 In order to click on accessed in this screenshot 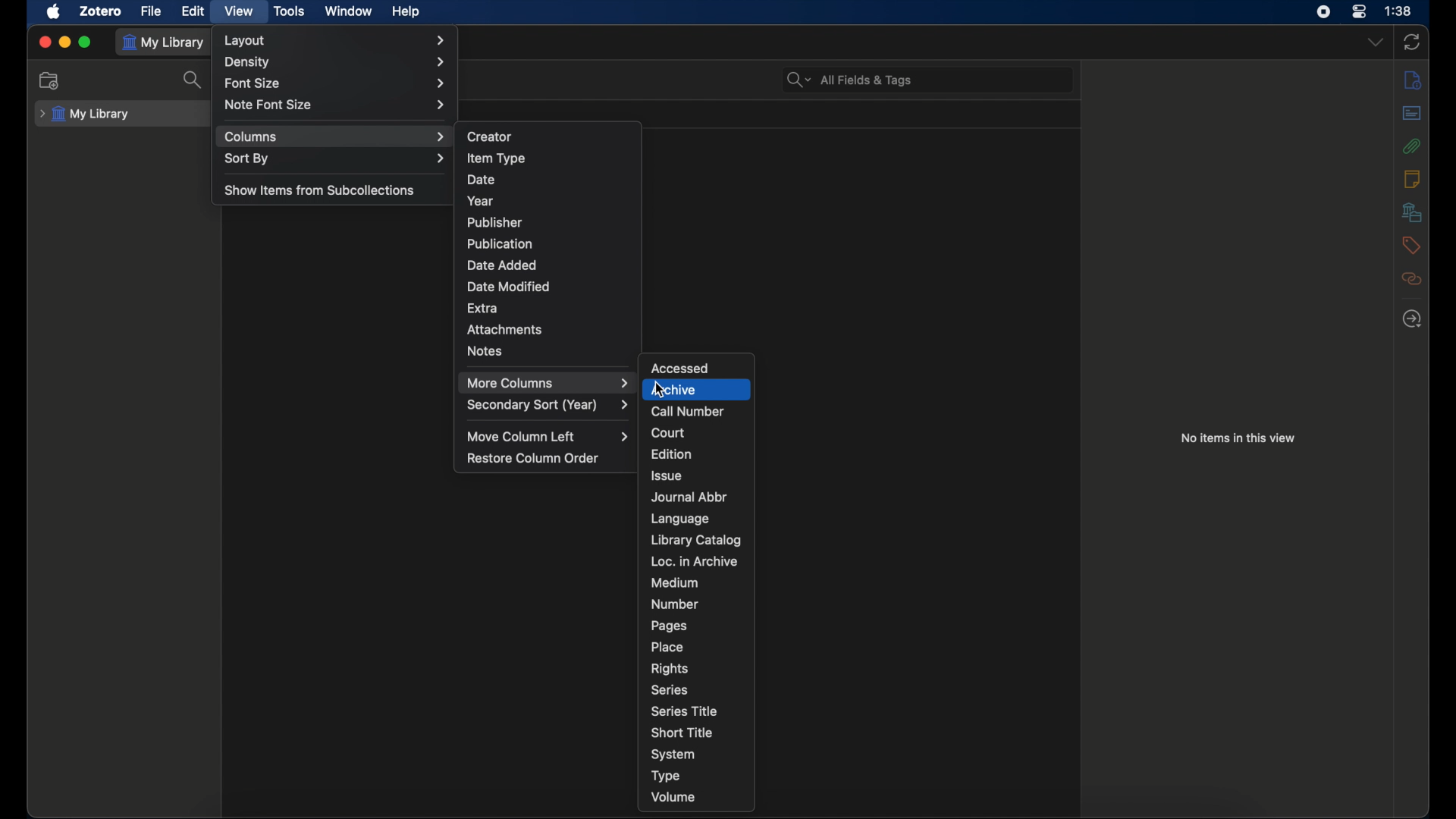, I will do `click(681, 368)`.